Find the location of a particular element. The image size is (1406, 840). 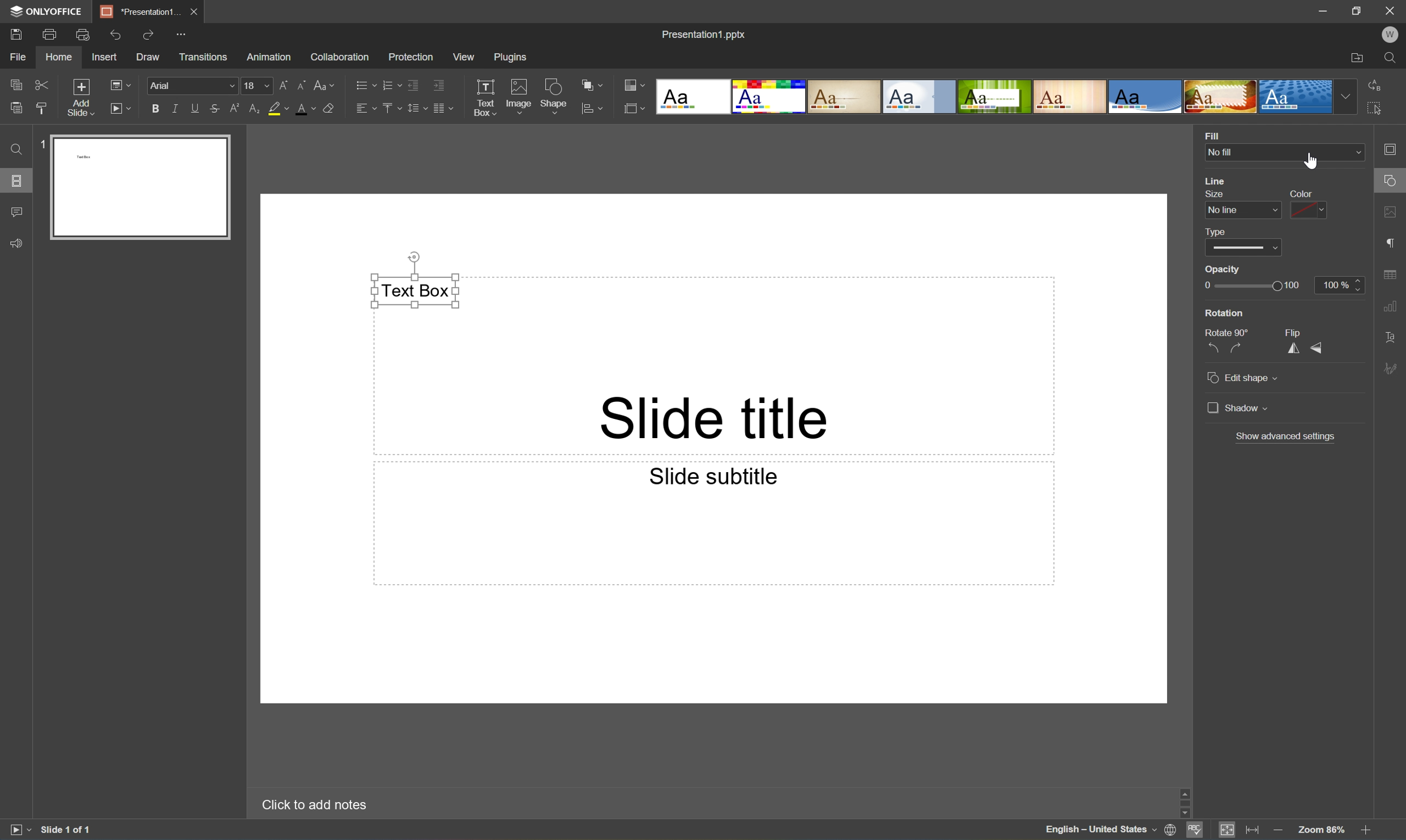

Feedback & Support is located at coordinates (16, 244).